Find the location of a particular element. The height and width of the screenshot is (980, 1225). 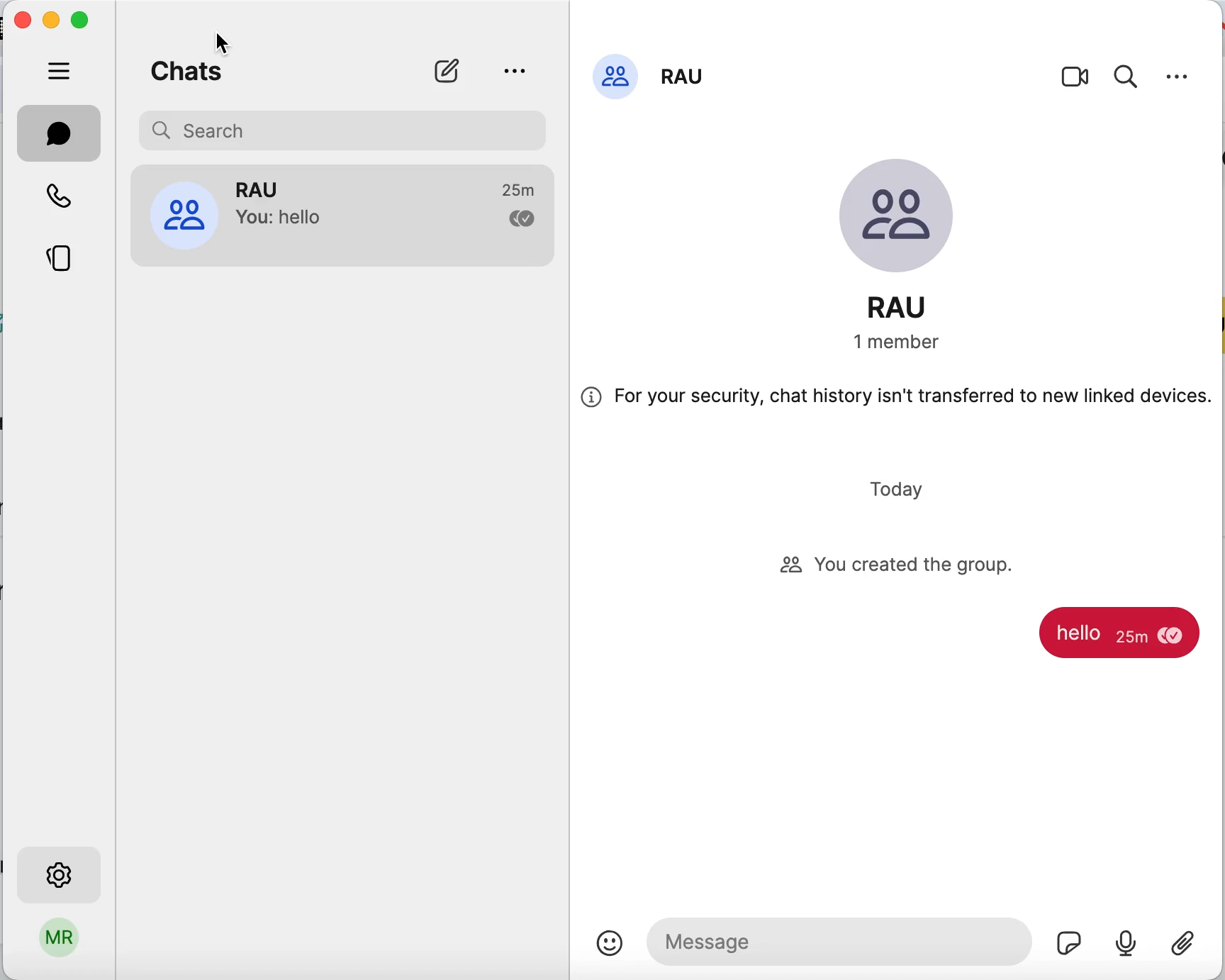

settings is located at coordinates (57, 872).